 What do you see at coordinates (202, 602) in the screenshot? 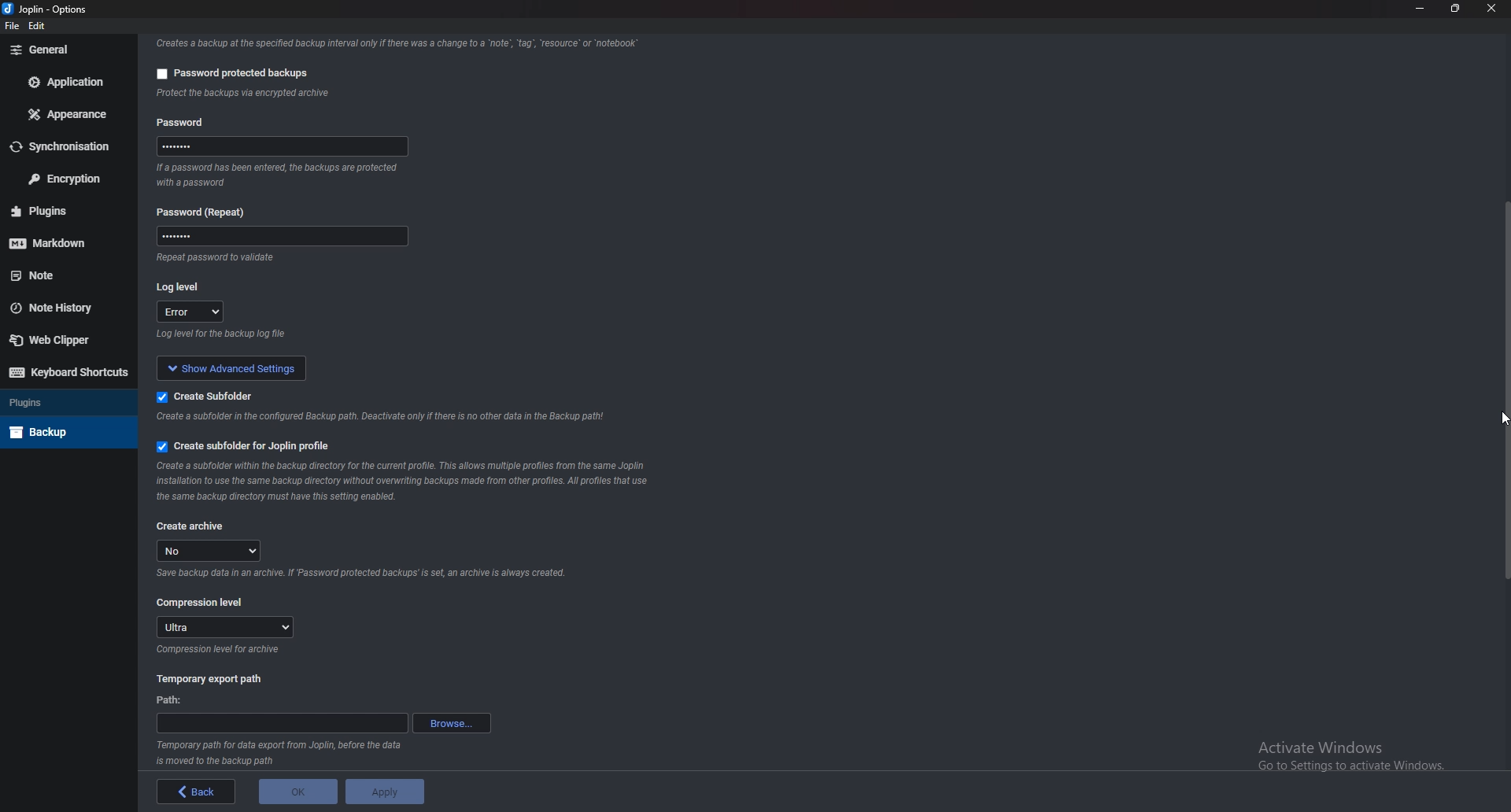
I see `Compression level` at bounding box center [202, 602].